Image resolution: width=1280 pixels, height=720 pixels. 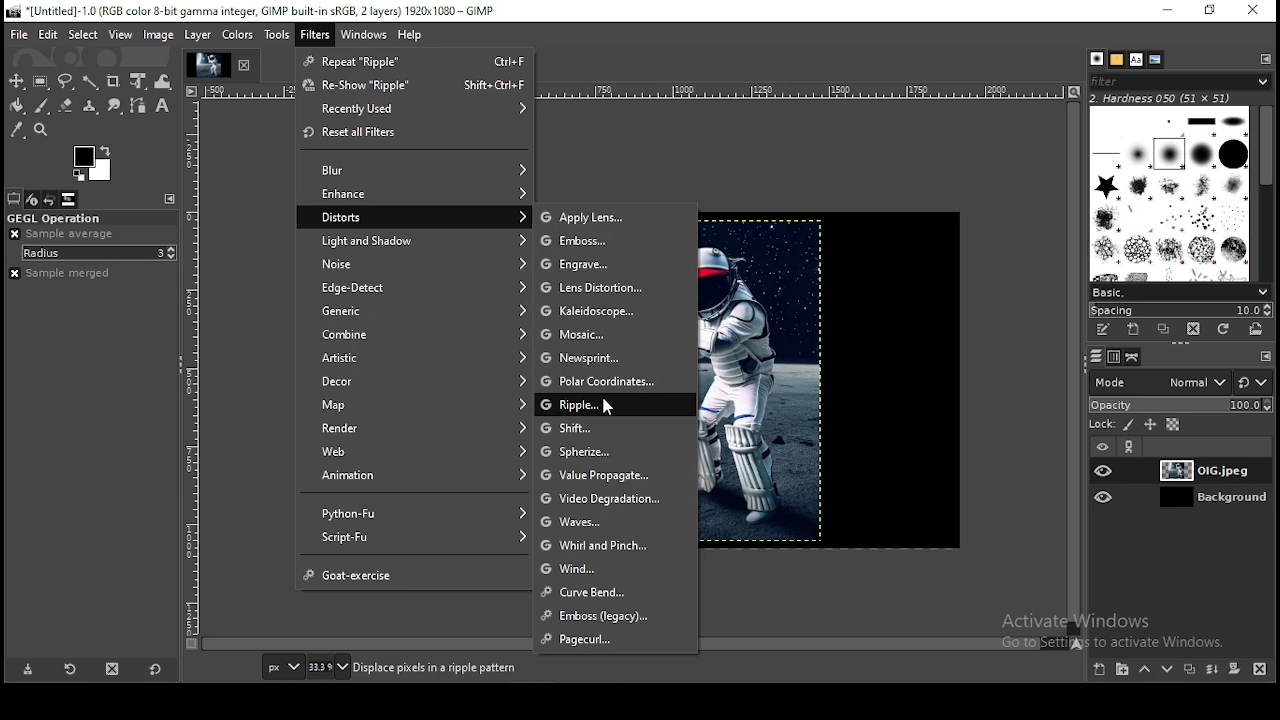 What do you see at coordinates (1155, 60) in the screenshot?
I see `document history` at bounding box center [1155, 60].